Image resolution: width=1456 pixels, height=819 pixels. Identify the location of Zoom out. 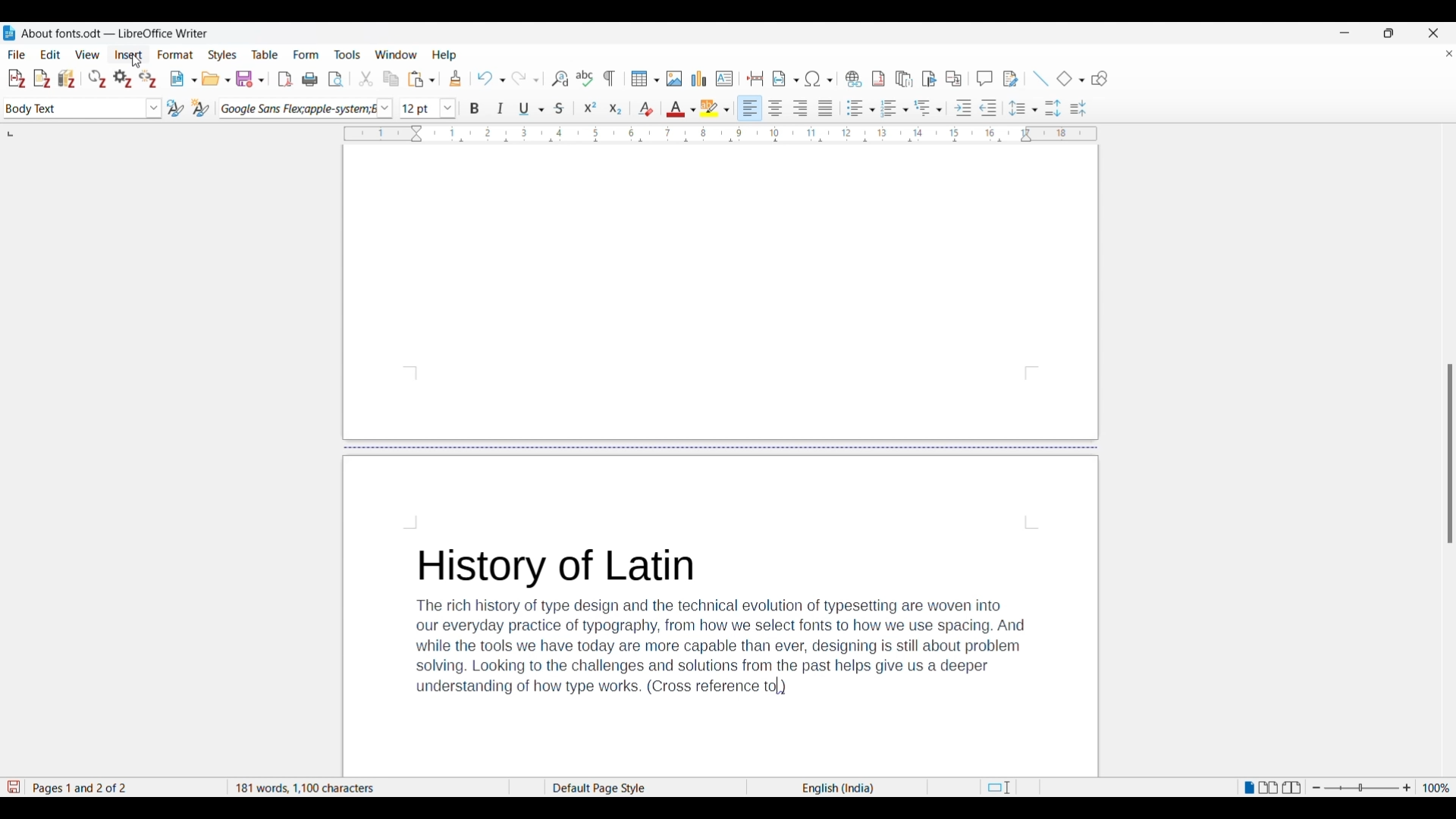
(1316, 789).